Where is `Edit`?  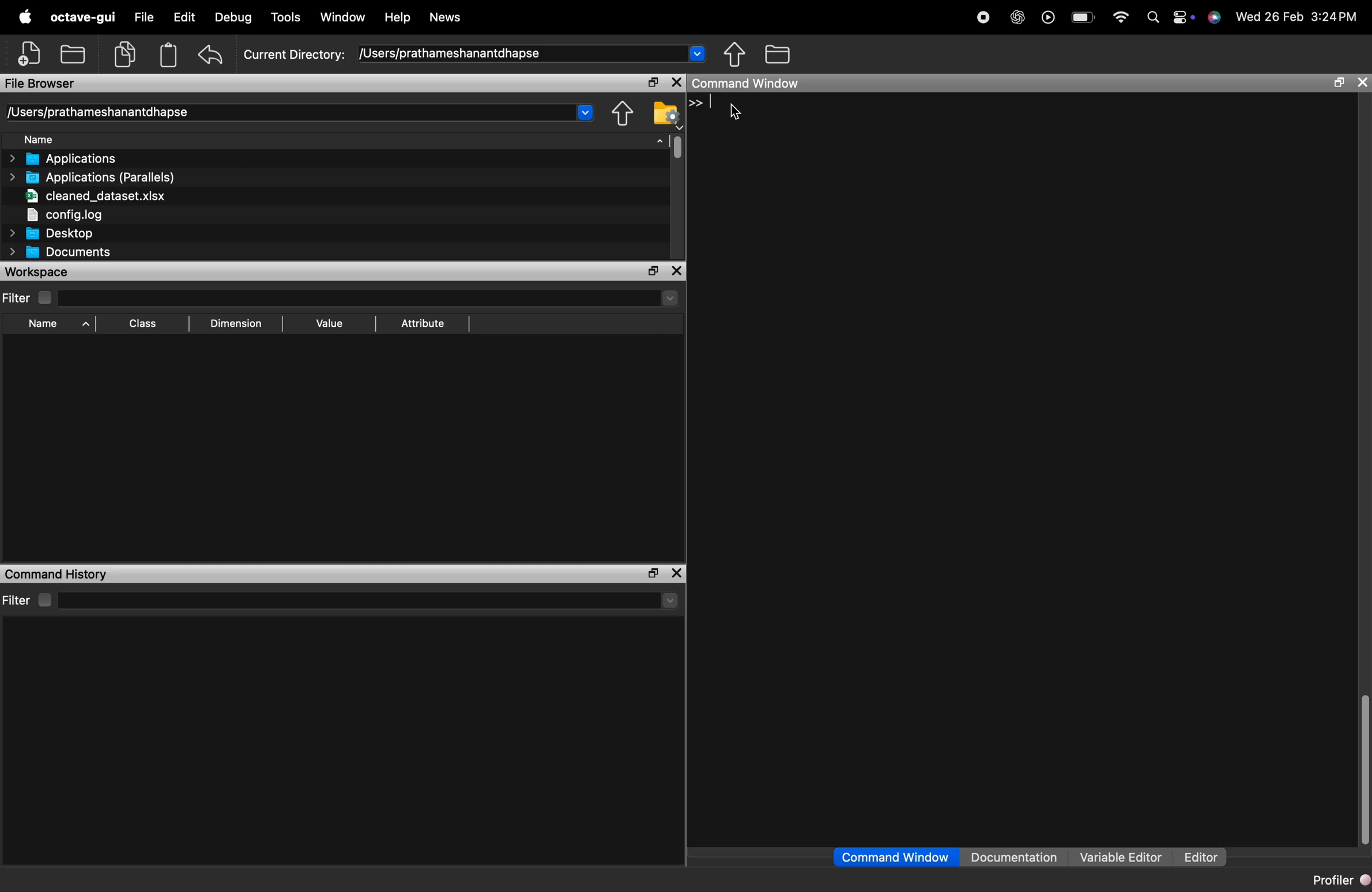
Edit is located at coordinates (183, 19).